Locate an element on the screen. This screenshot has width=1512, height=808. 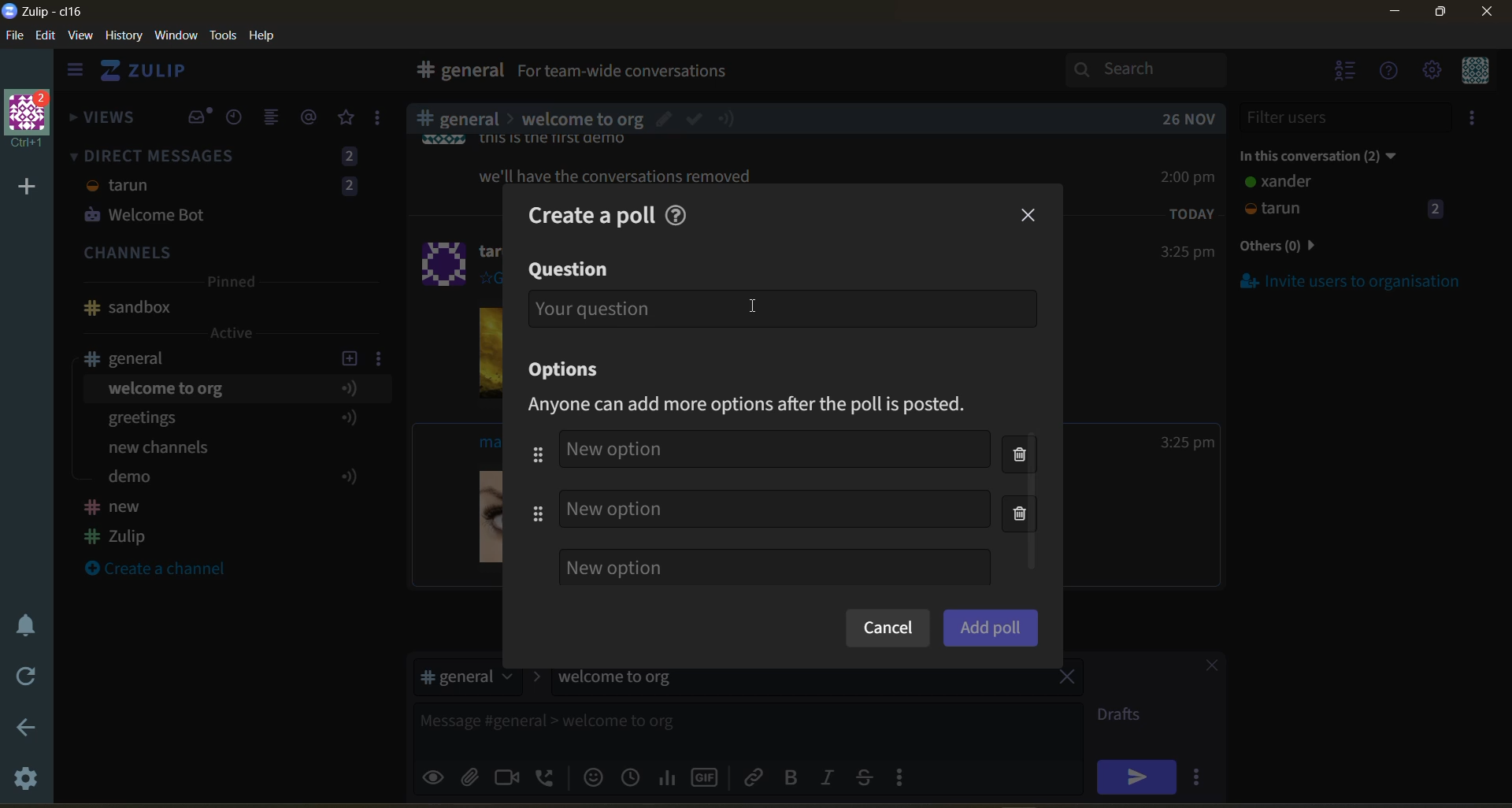
settings is located at coordinates (28, 781).